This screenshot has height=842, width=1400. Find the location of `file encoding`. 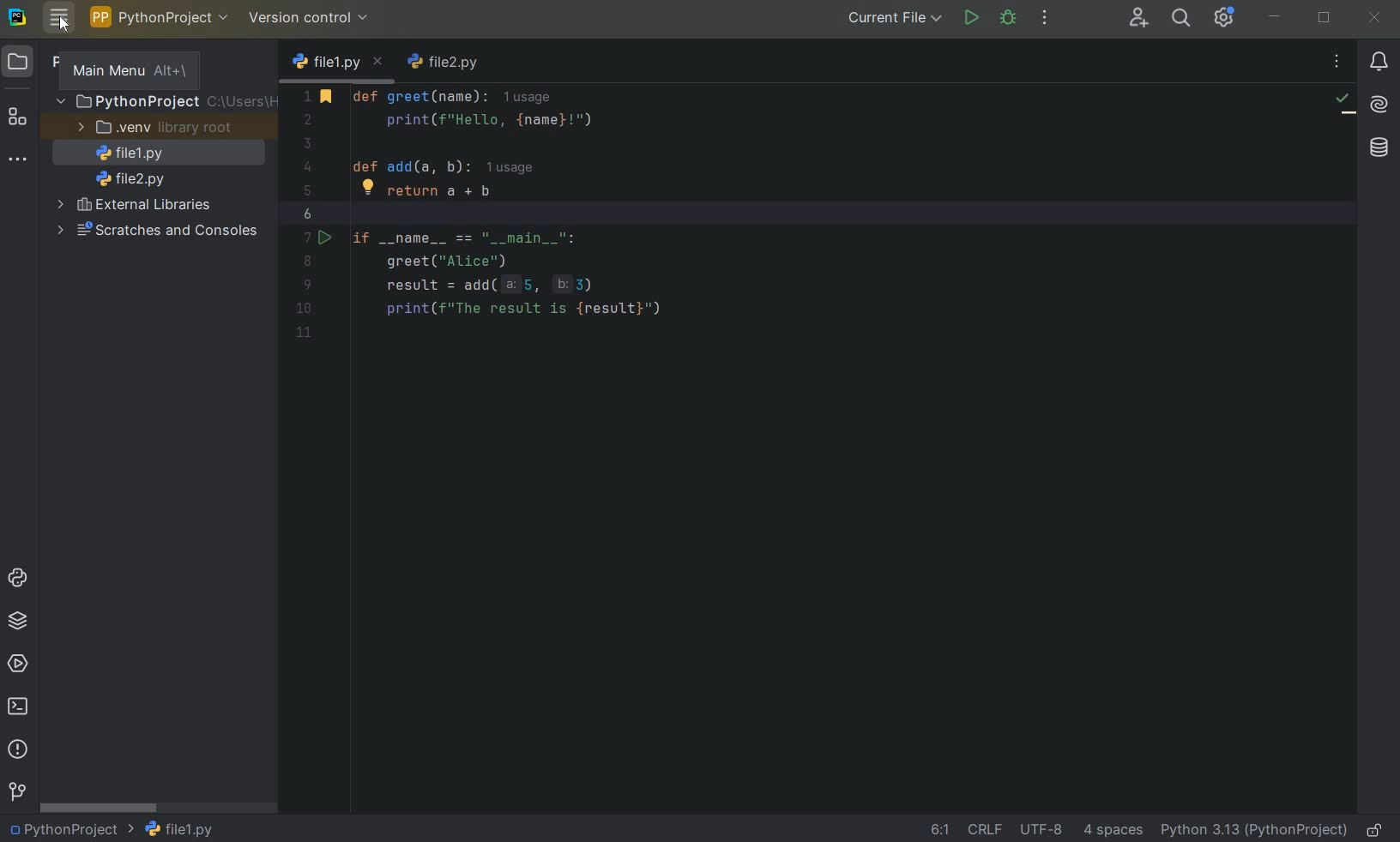

file encoding is located at coordinates (1042, 827).